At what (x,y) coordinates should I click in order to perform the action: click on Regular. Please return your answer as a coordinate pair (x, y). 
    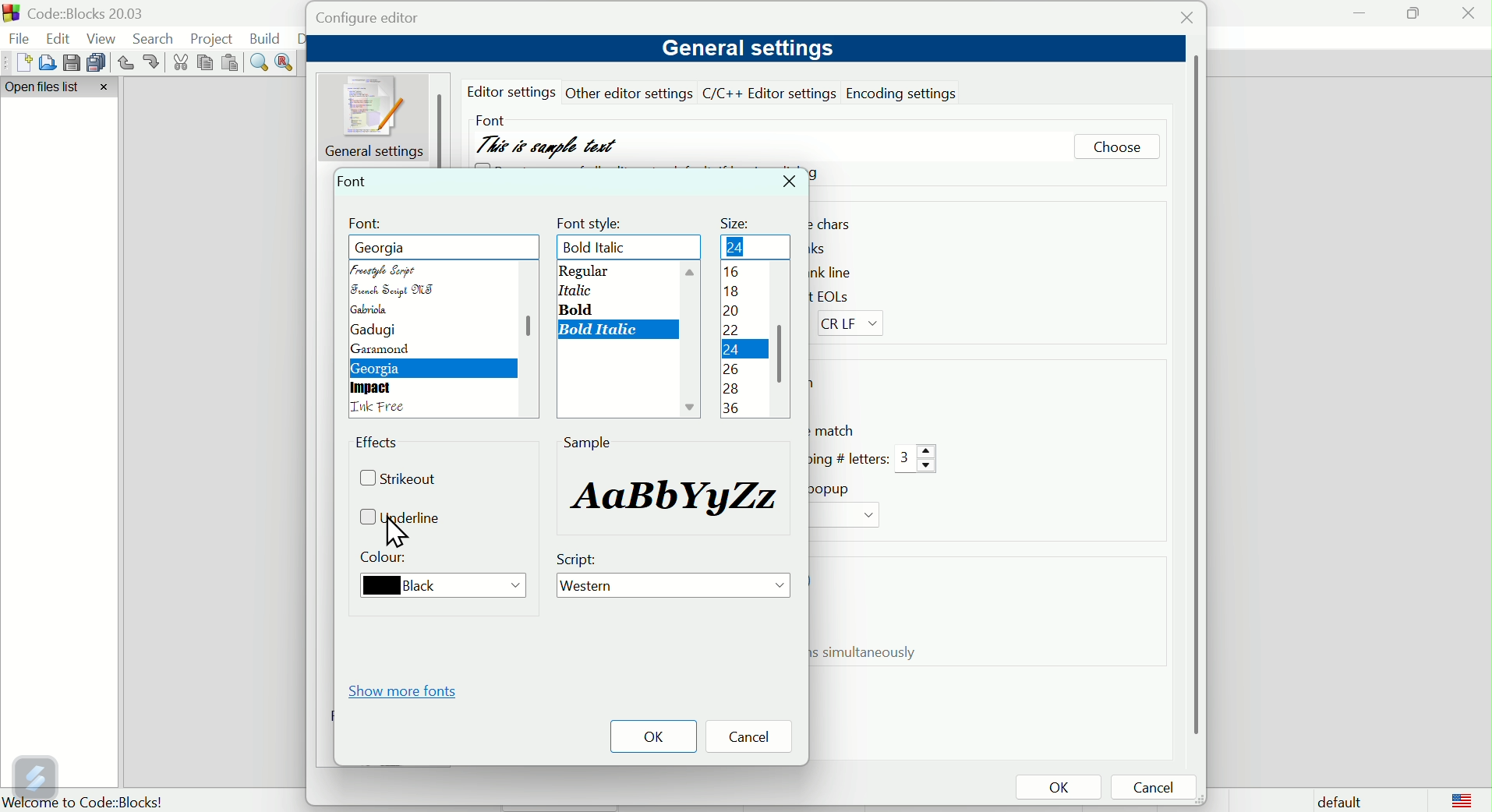
    Looking at the image, I should click on (582, 271).